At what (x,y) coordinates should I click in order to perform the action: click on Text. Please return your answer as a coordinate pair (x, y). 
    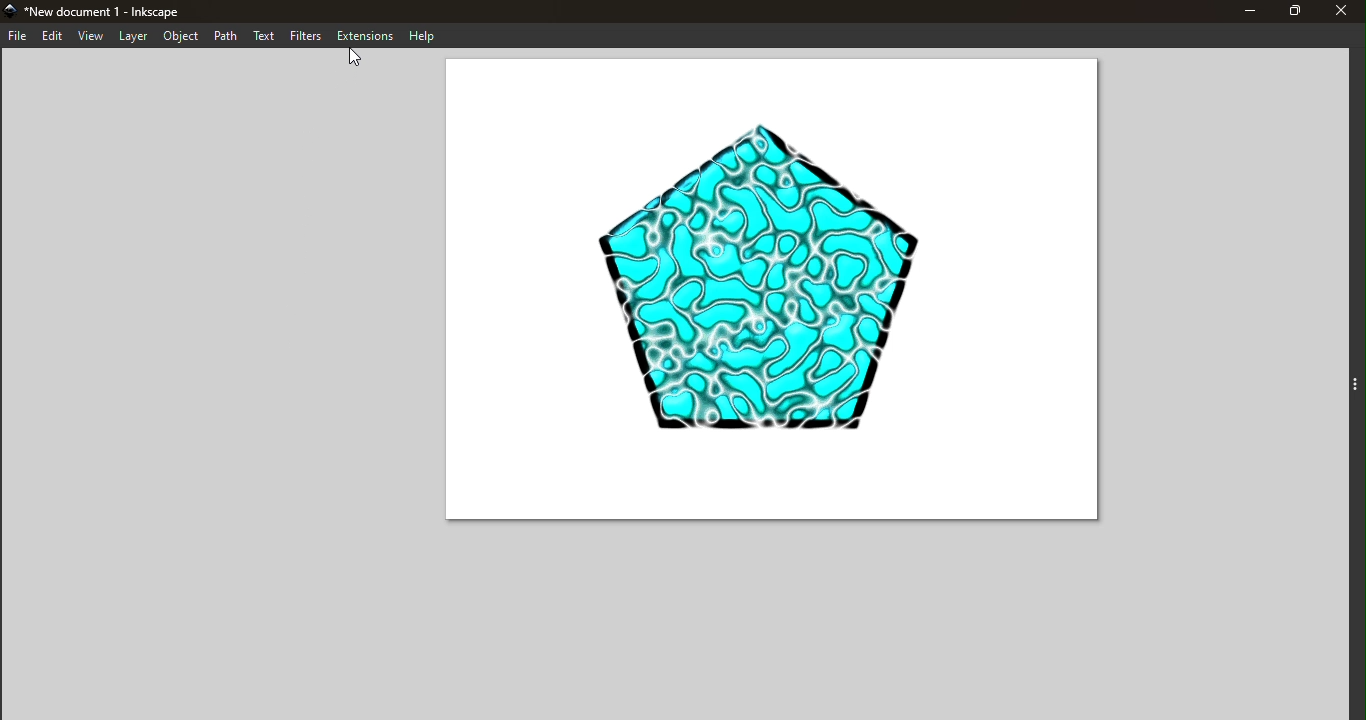
    Looking at the image, I should click on (266, 38).